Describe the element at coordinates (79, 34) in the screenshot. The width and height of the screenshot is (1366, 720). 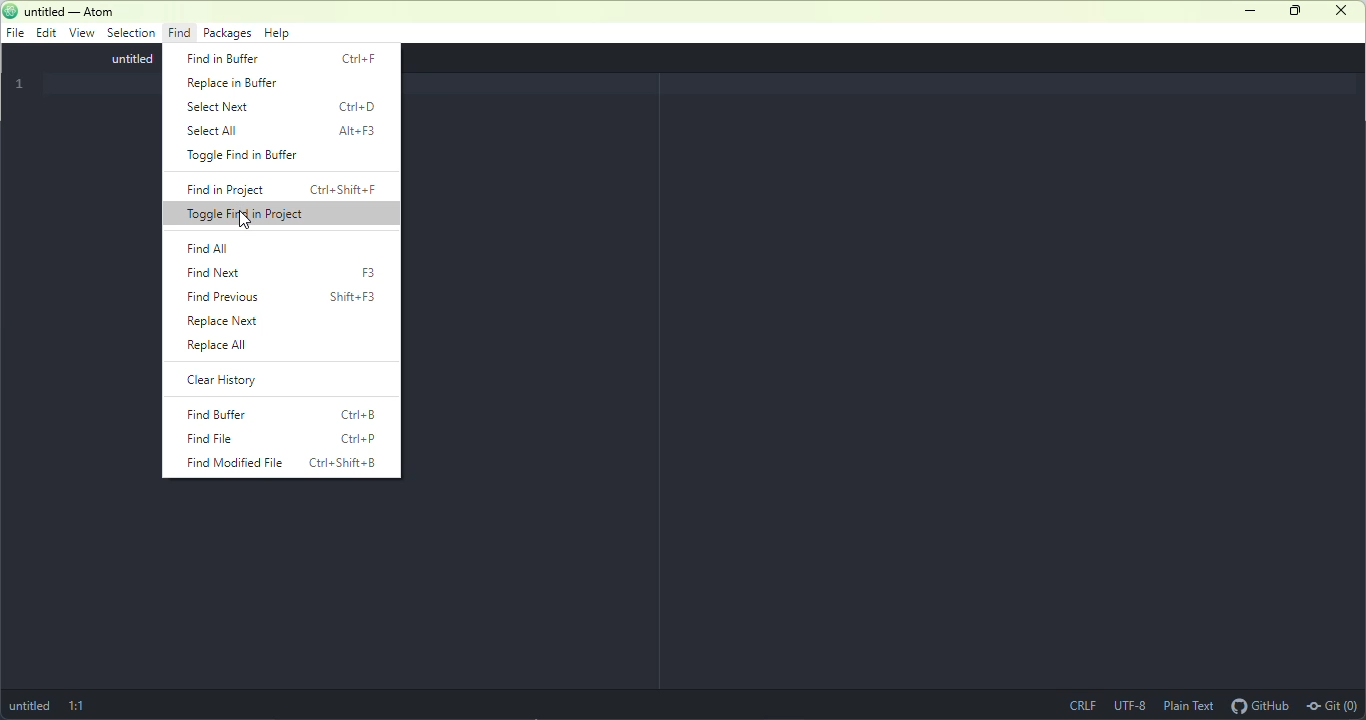
I see `view` at that location.